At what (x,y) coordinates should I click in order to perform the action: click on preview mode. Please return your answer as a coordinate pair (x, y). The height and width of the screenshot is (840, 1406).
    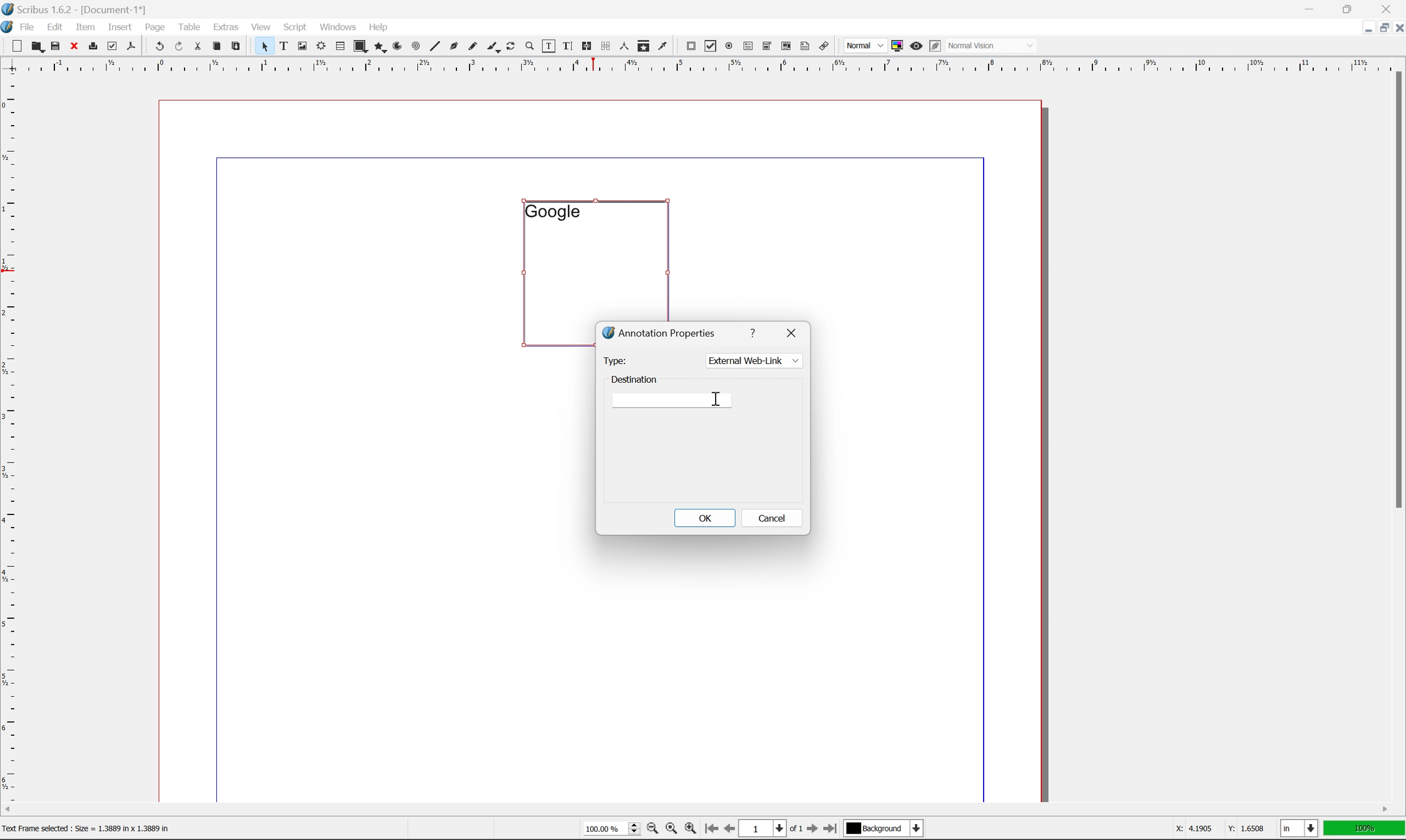
    Looking at the image, I should click on (914, 45).